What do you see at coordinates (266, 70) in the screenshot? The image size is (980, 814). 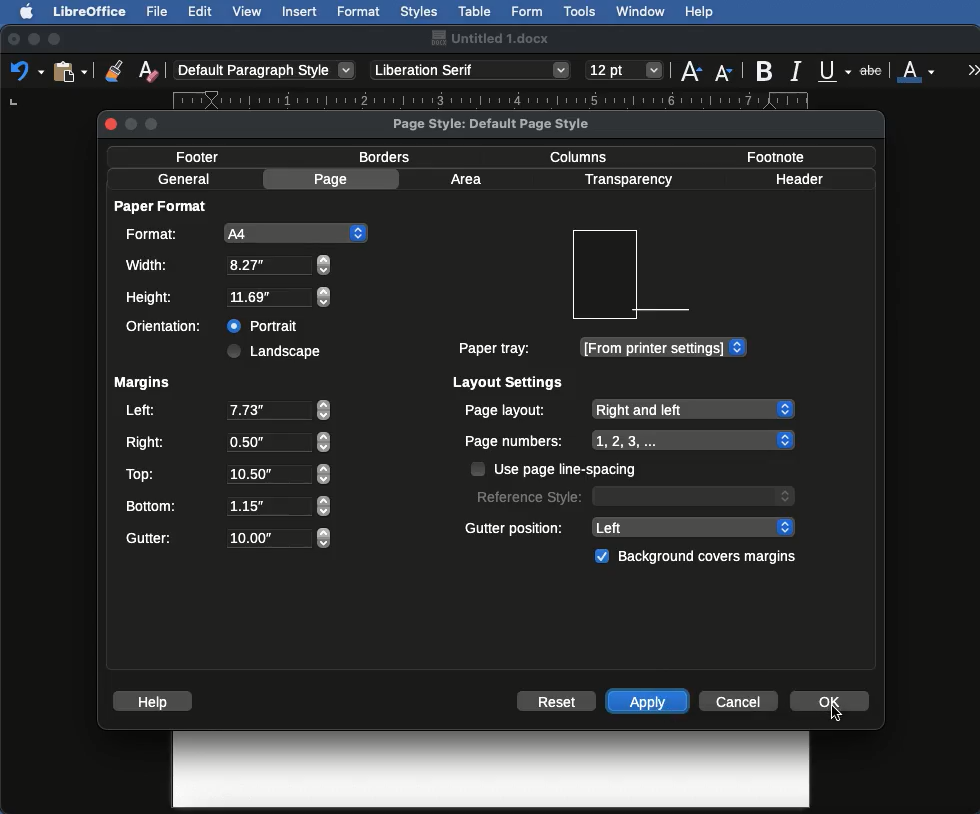 I see `Paragraph style` at bounding box center [266, 70].